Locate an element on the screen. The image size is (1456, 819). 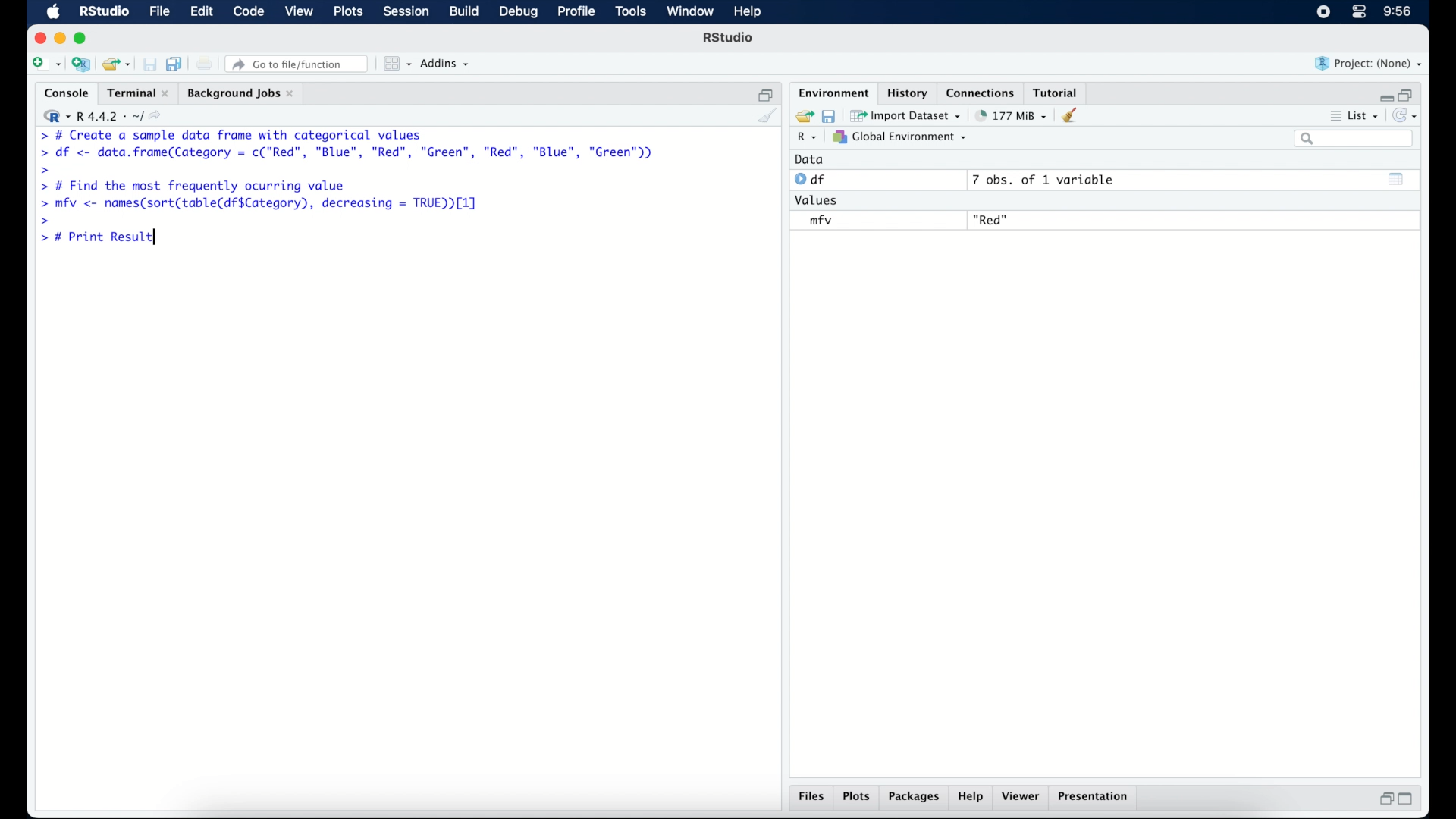
Go to file/ function is located at coordinates (300, 63).